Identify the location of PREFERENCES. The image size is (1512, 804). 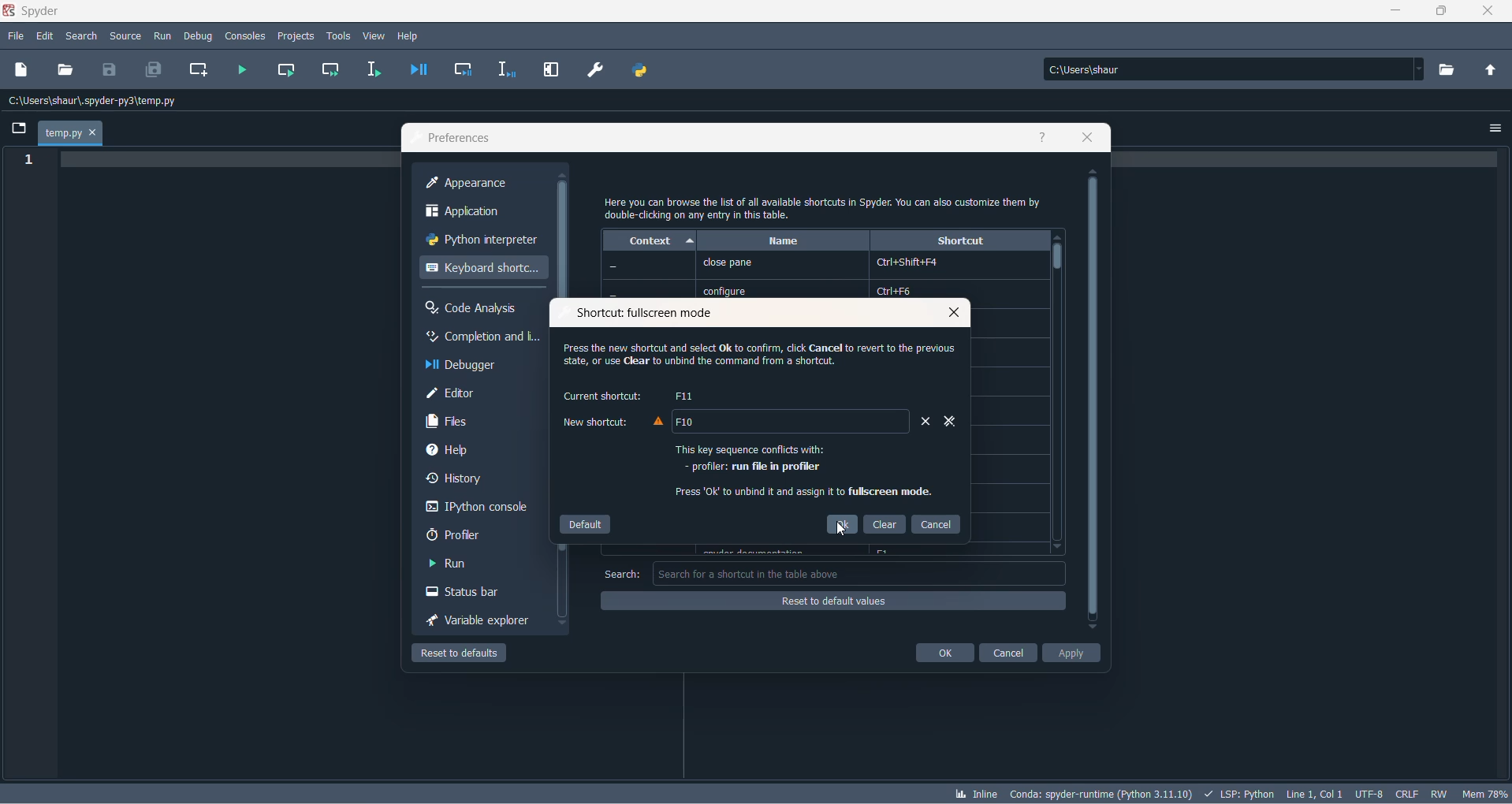
(597, 70).